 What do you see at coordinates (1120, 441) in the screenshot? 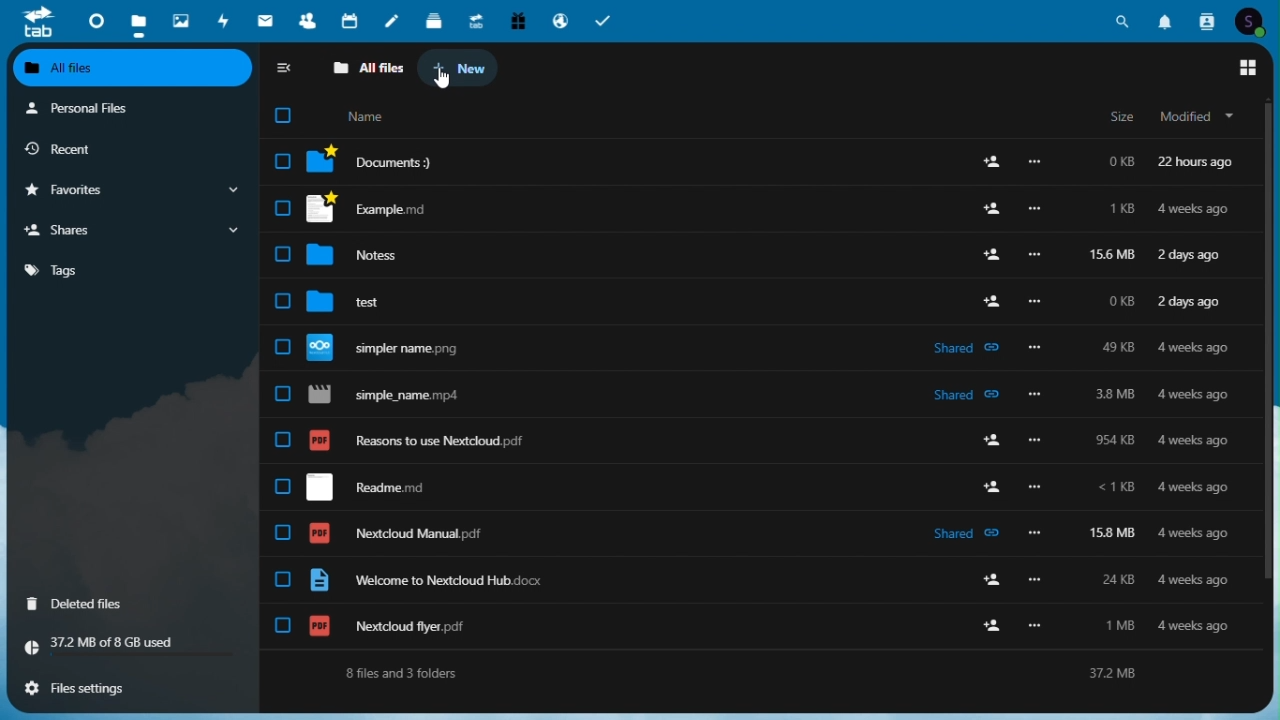
I see `954 kb` at bounding box center [1120, 441].